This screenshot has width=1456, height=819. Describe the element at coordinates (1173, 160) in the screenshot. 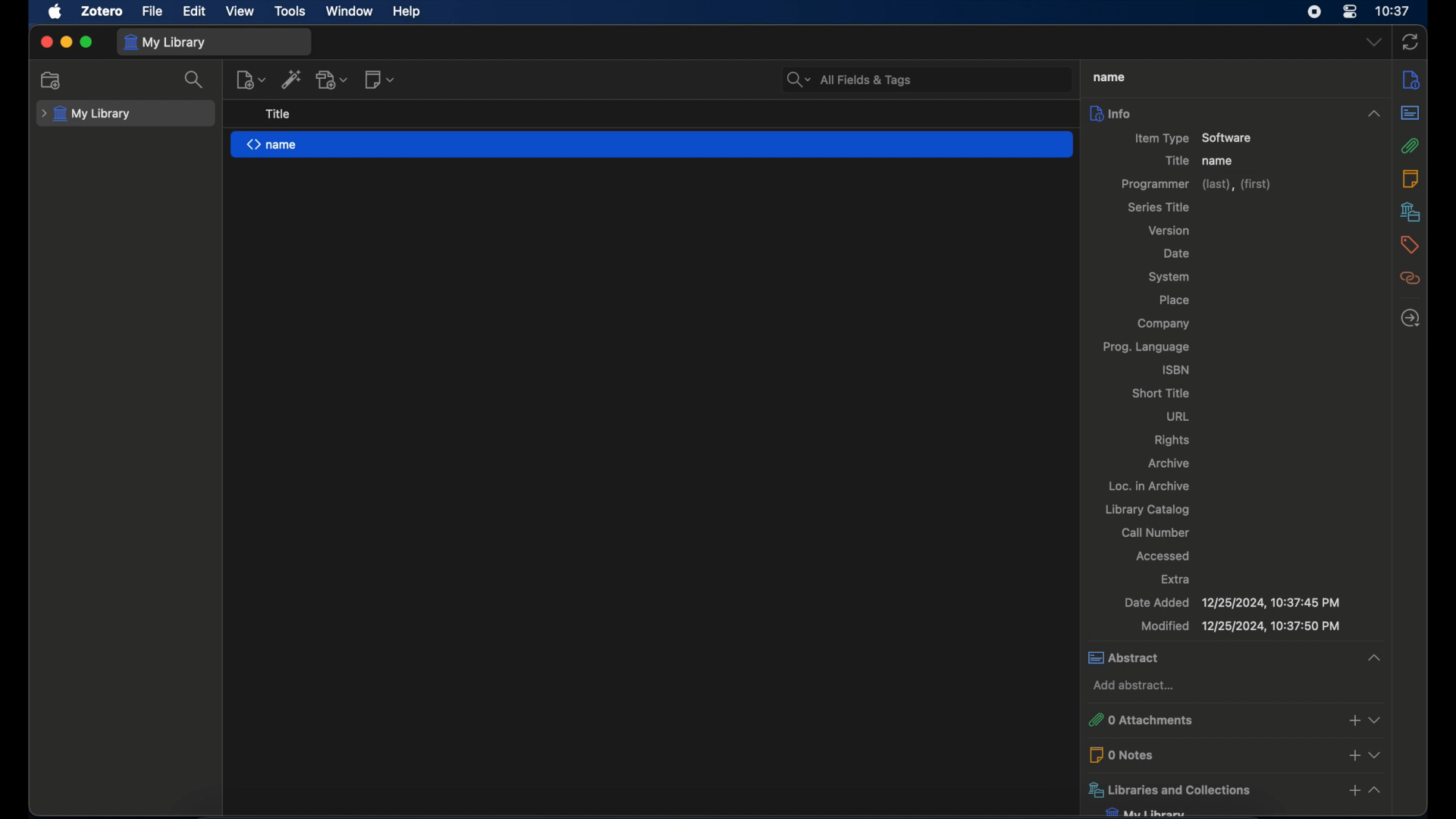

I see `title` at that location.